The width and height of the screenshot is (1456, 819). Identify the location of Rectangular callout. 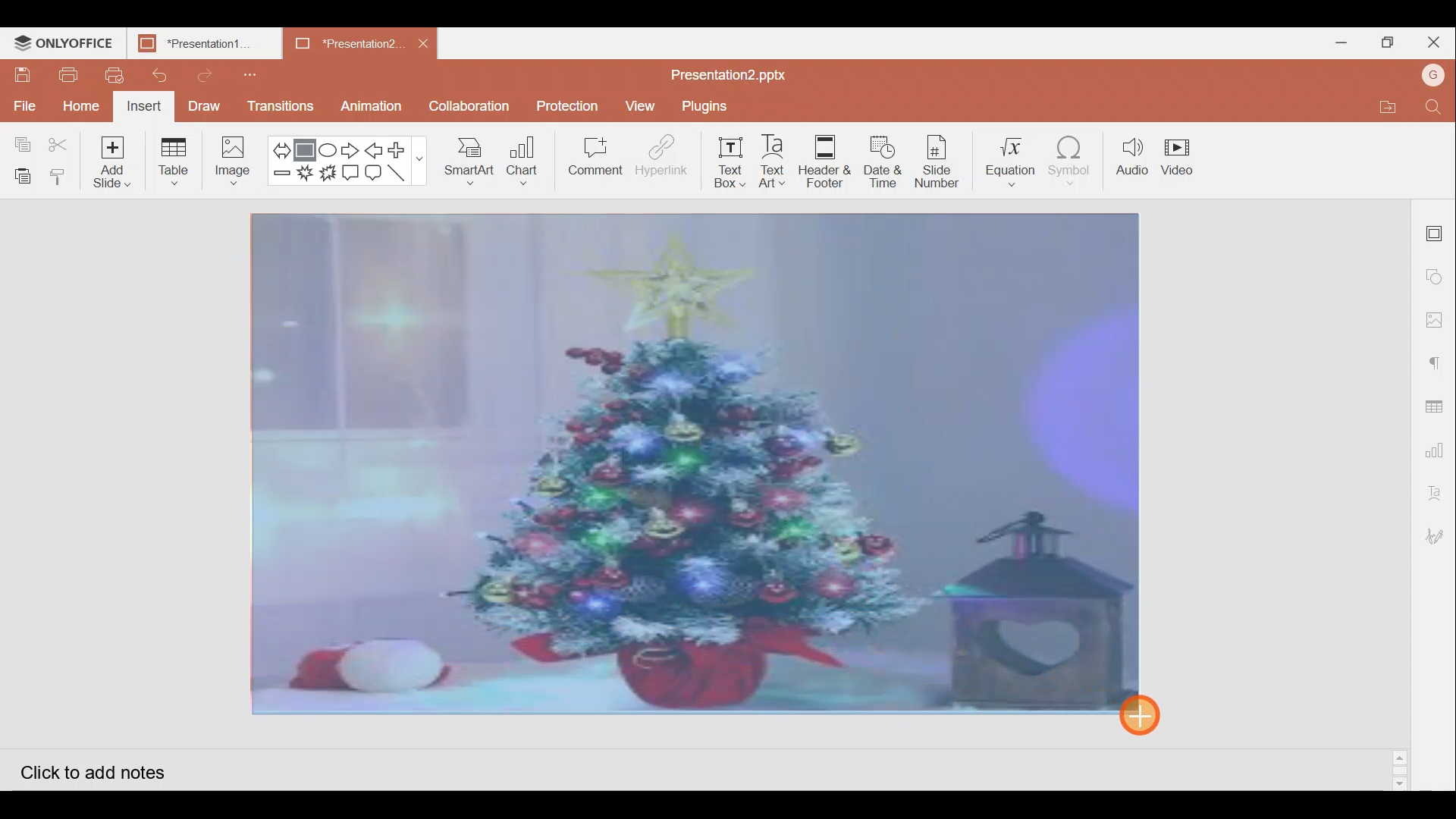
(352, 173).